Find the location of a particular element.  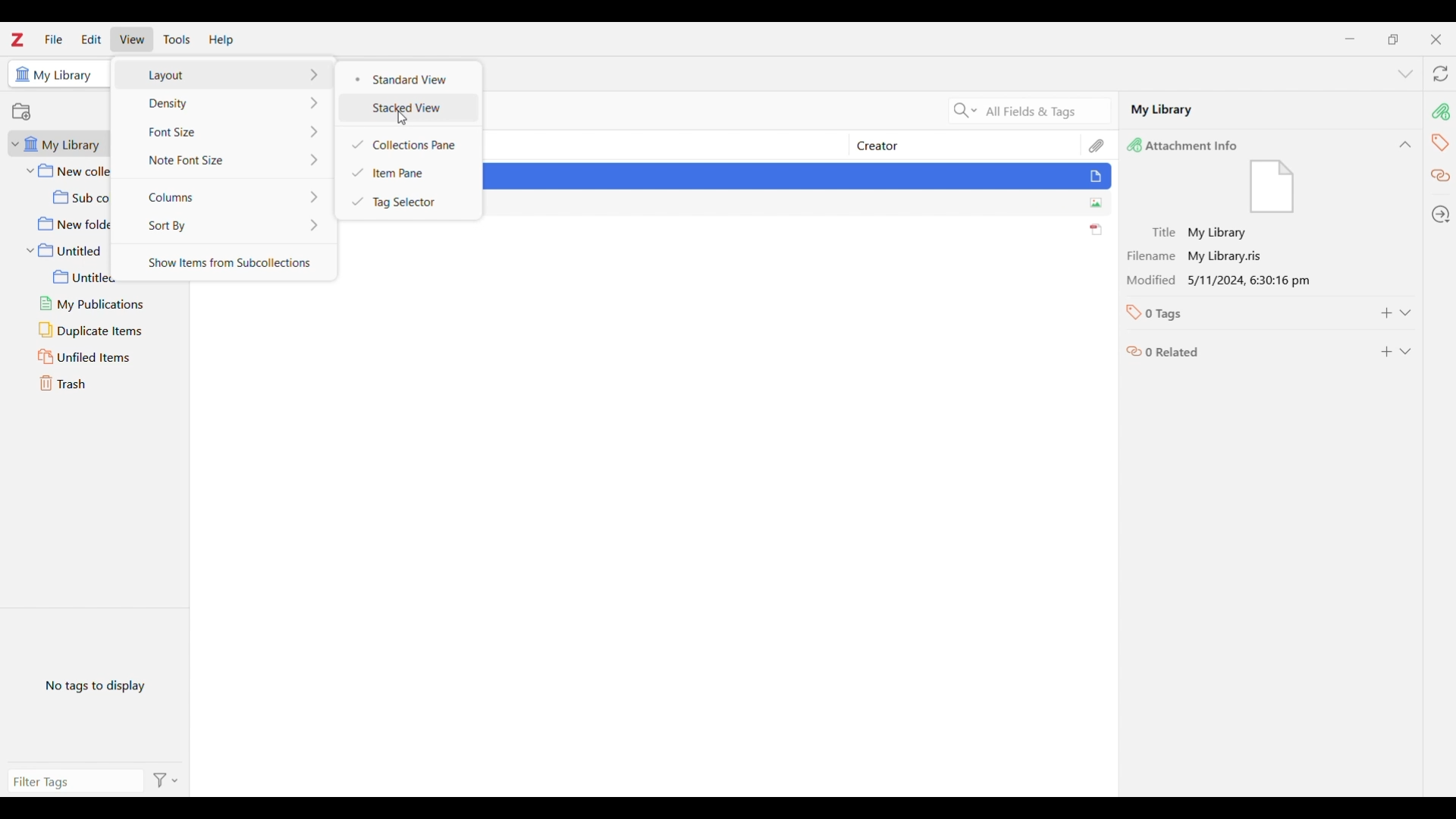

Note font size options is located at coordinates (227, 159).